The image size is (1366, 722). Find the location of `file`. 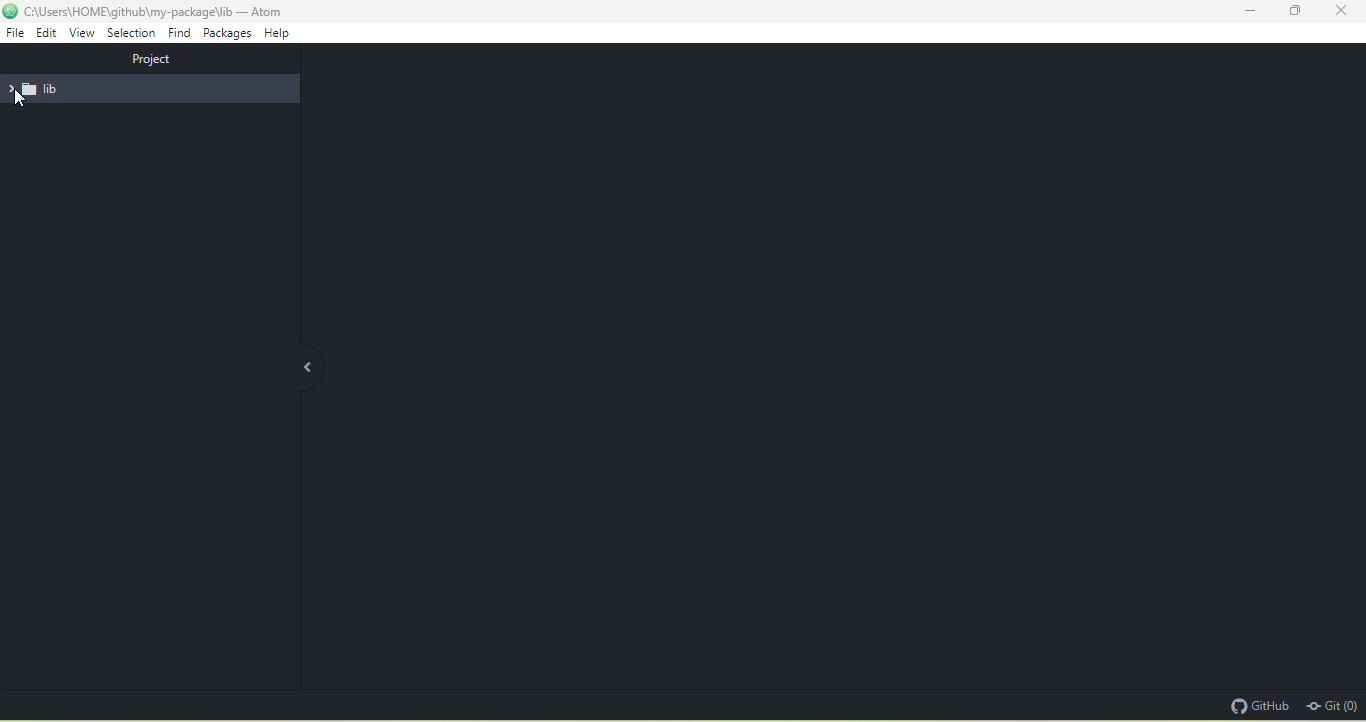

file is located at coordinates (15, 32).